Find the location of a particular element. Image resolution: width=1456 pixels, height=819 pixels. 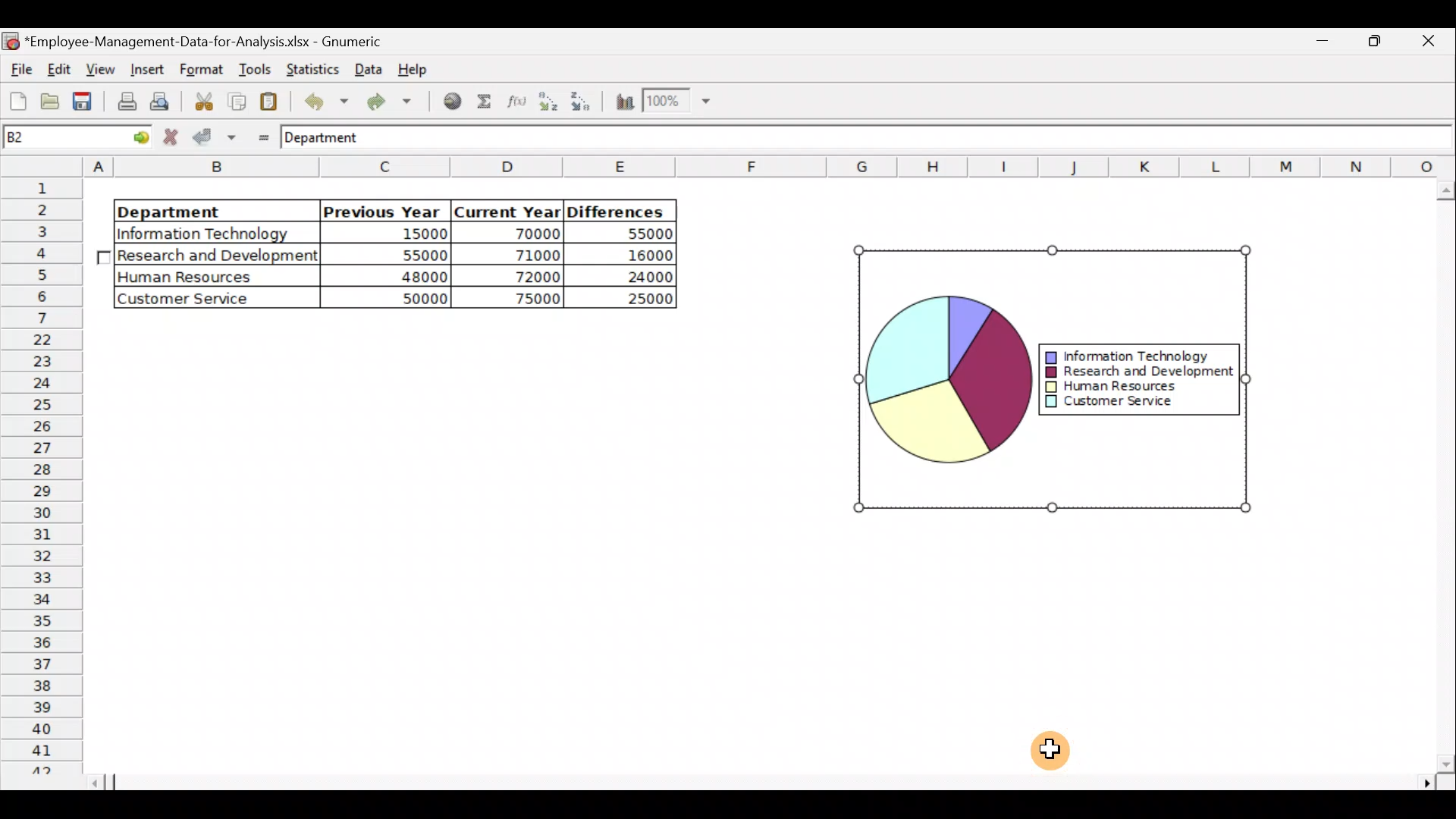

Employee-Management-Data-for-Analysis.xlsx - Gnumeric is located at coordinates (214, 40).